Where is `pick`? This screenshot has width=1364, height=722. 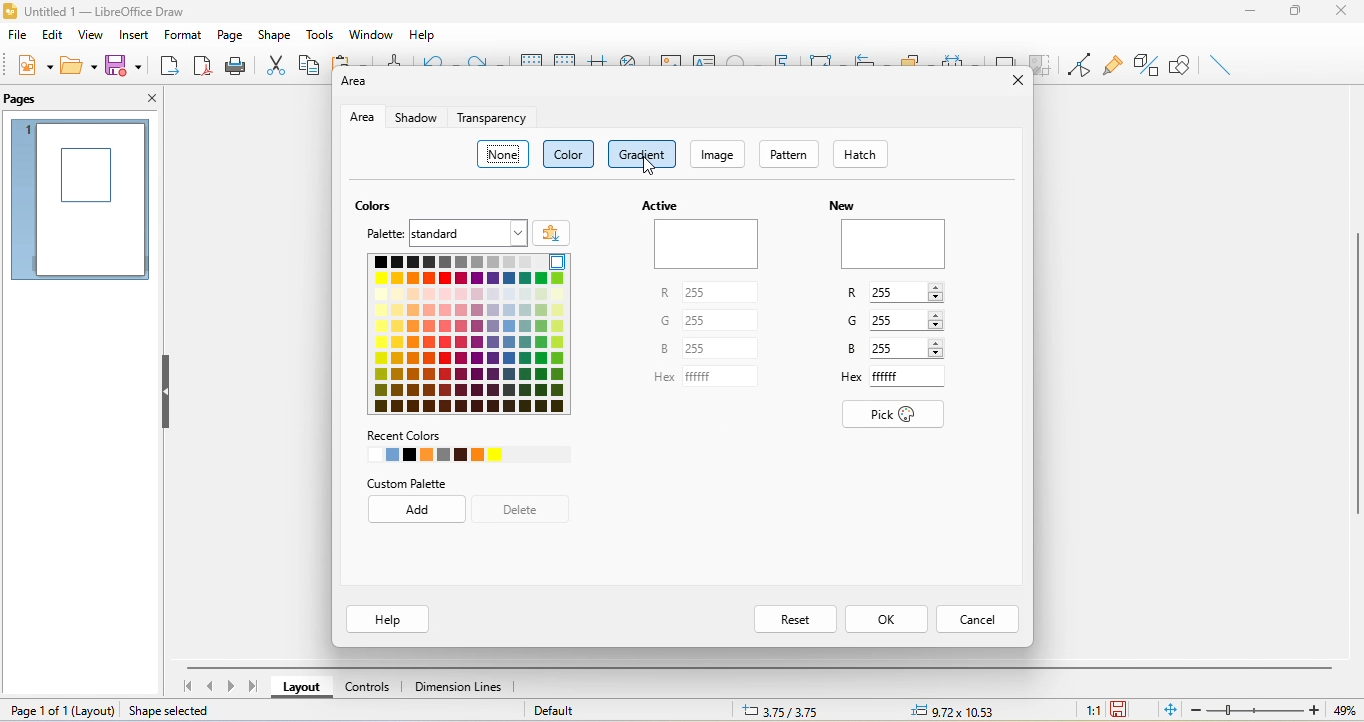
pick is located at coordinates (896, 414).